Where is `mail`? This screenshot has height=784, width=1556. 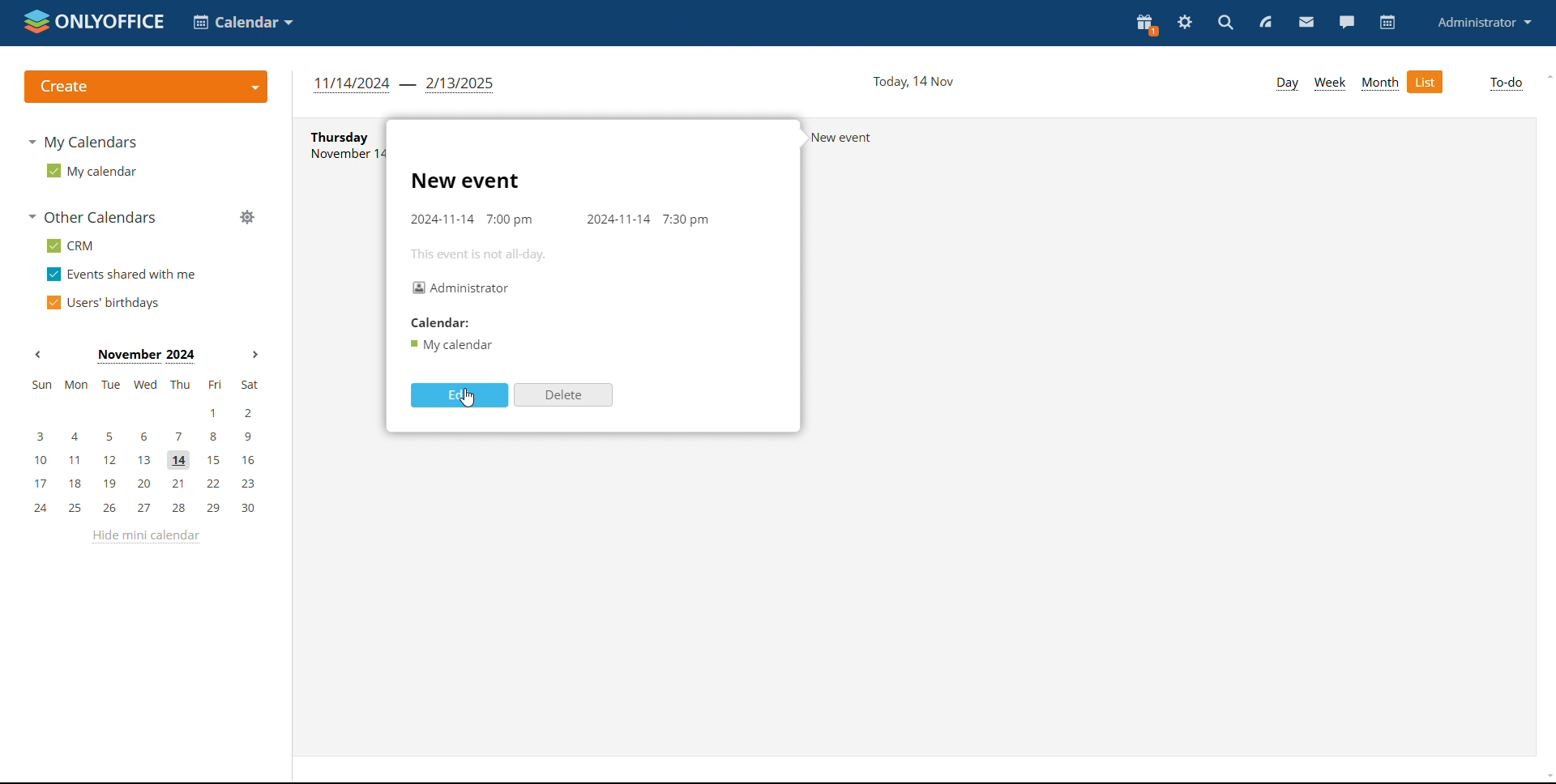 mail is located at coordinates (1306, 23).